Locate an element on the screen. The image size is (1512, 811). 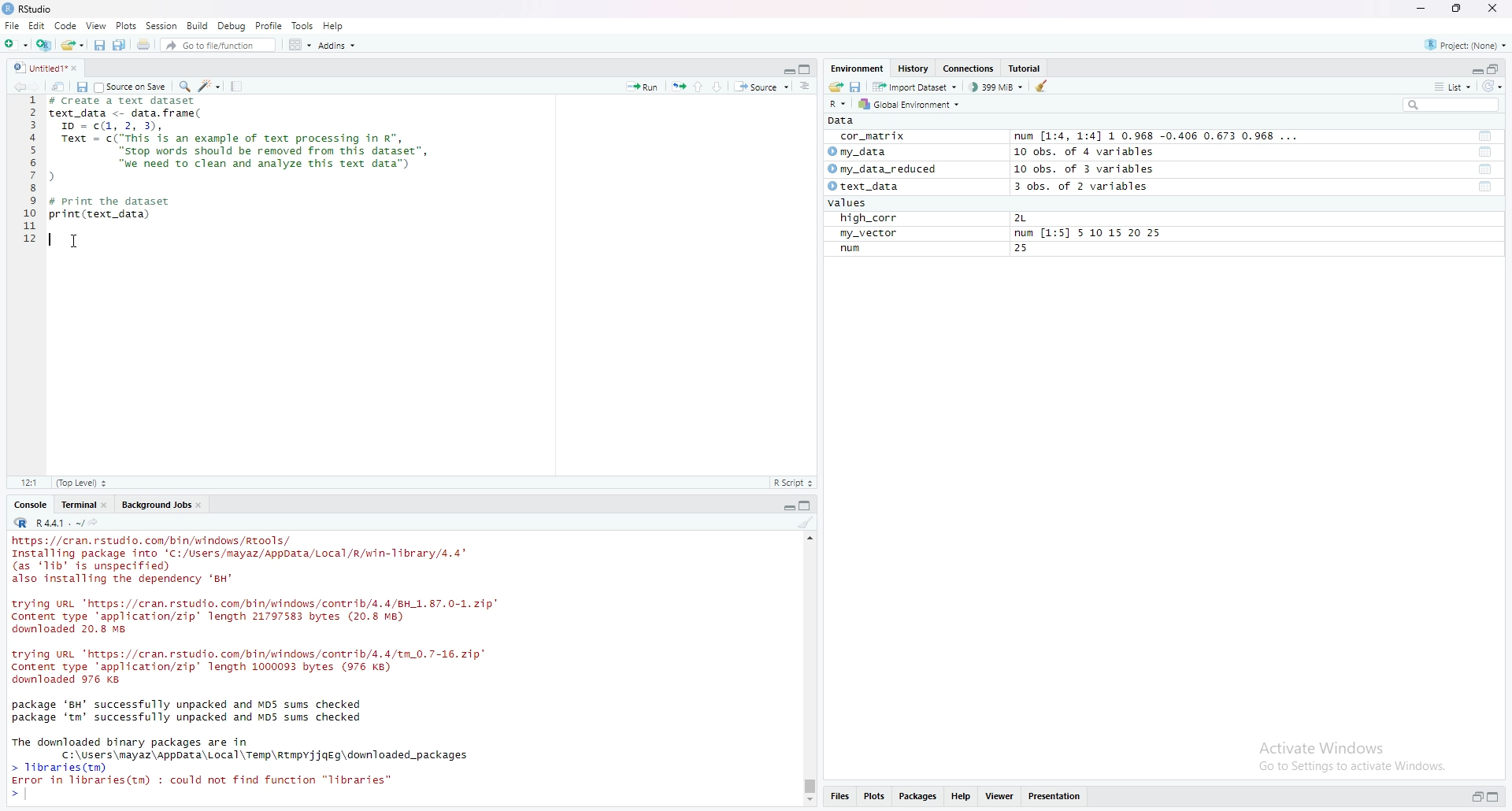
text cursor is located at coordinates (54, 242).